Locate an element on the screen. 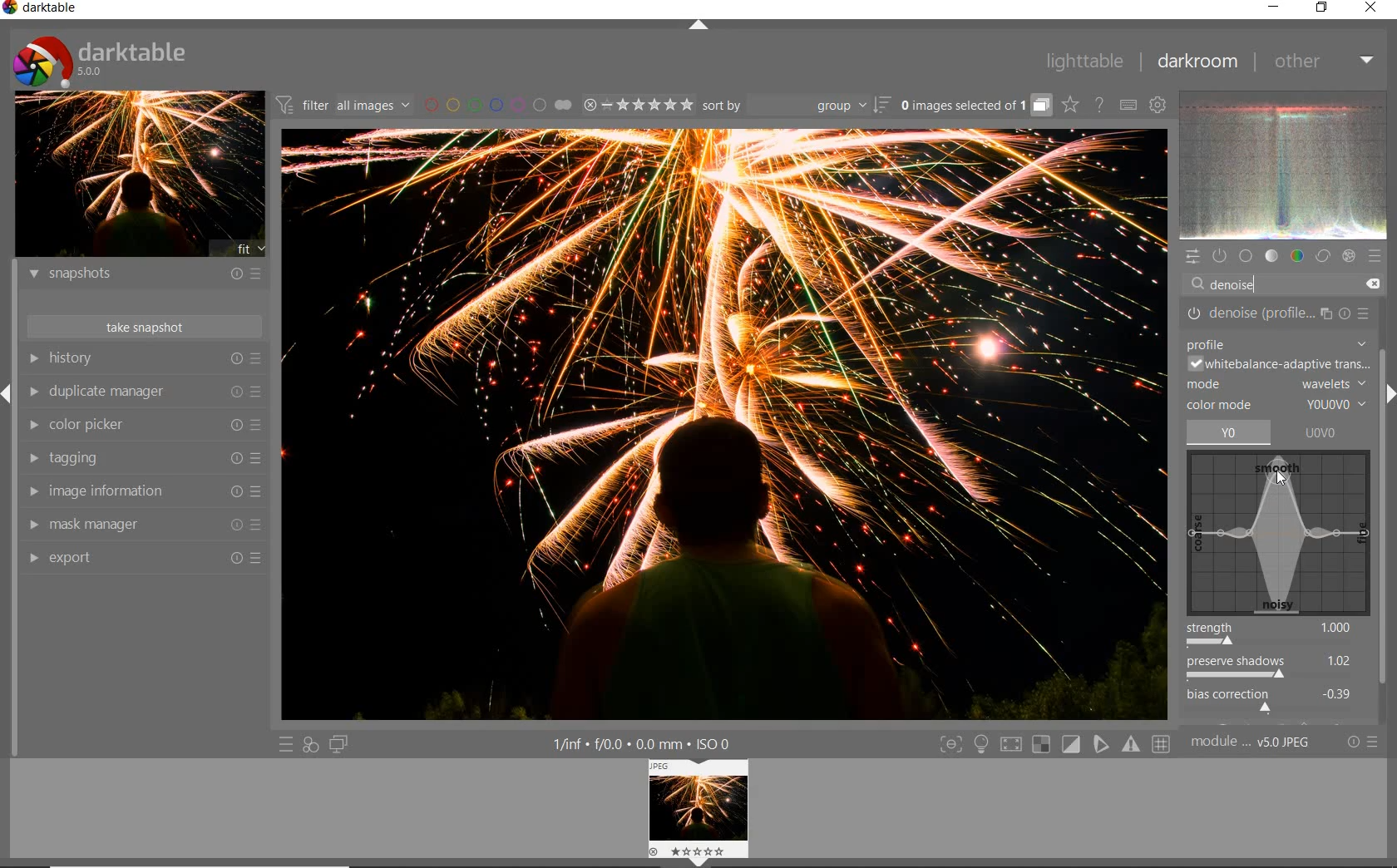 The height and width of the screenshot is (868, 1397). UOVO is located at coordinates (1329, 433).